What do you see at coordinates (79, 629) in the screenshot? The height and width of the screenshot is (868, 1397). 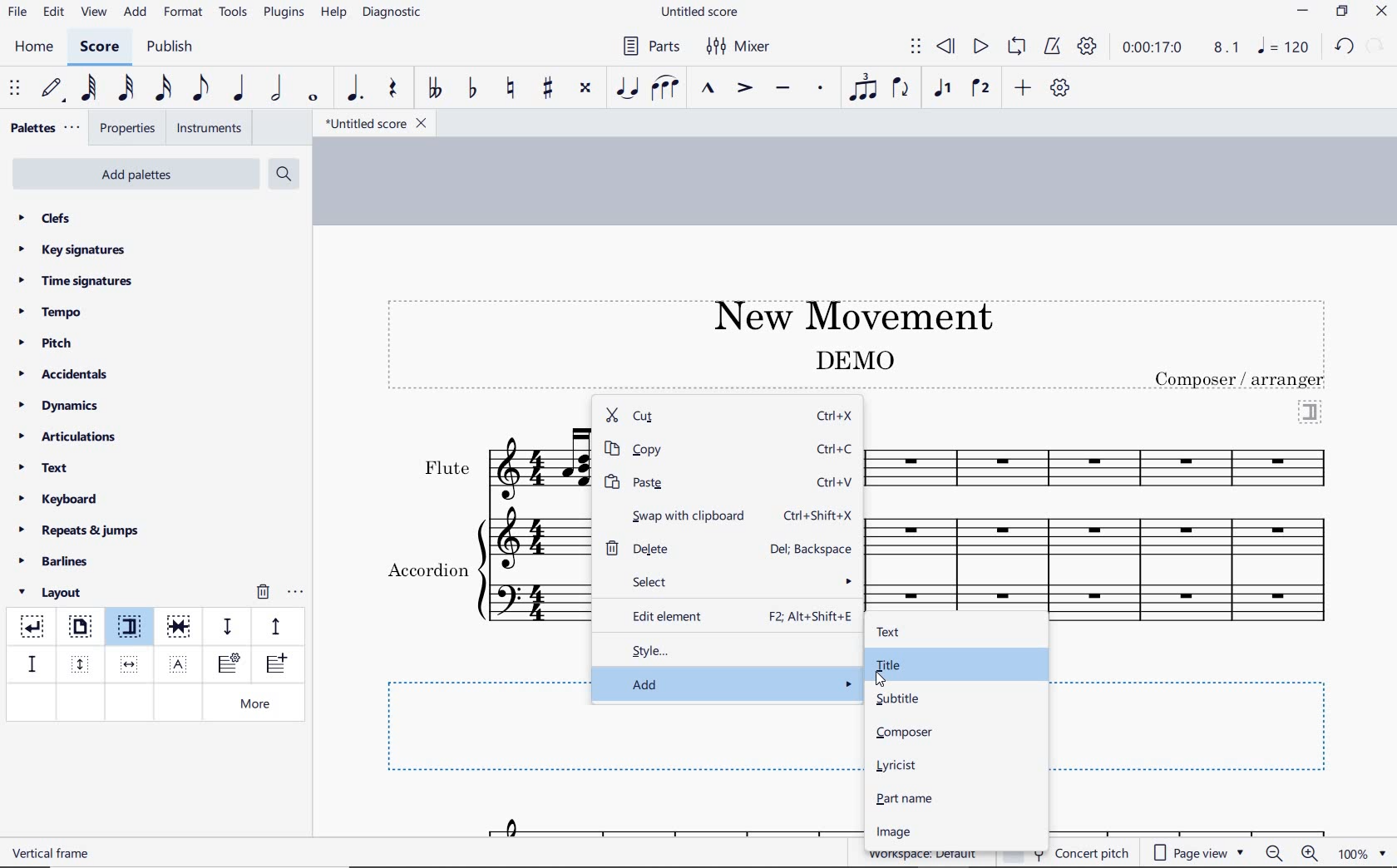 I see `page break` at bounding box center [79, 629].